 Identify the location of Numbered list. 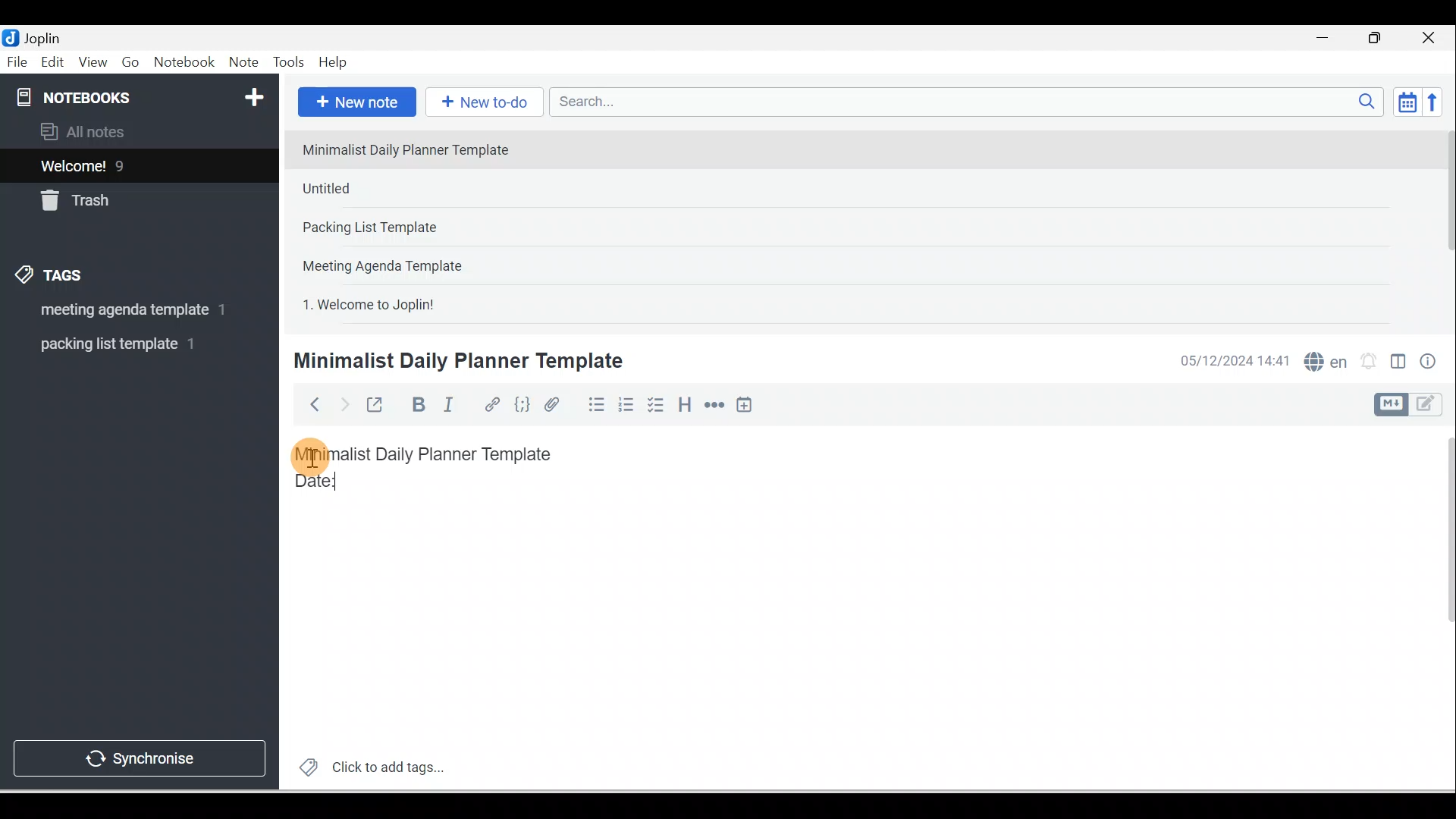
(626, 404).